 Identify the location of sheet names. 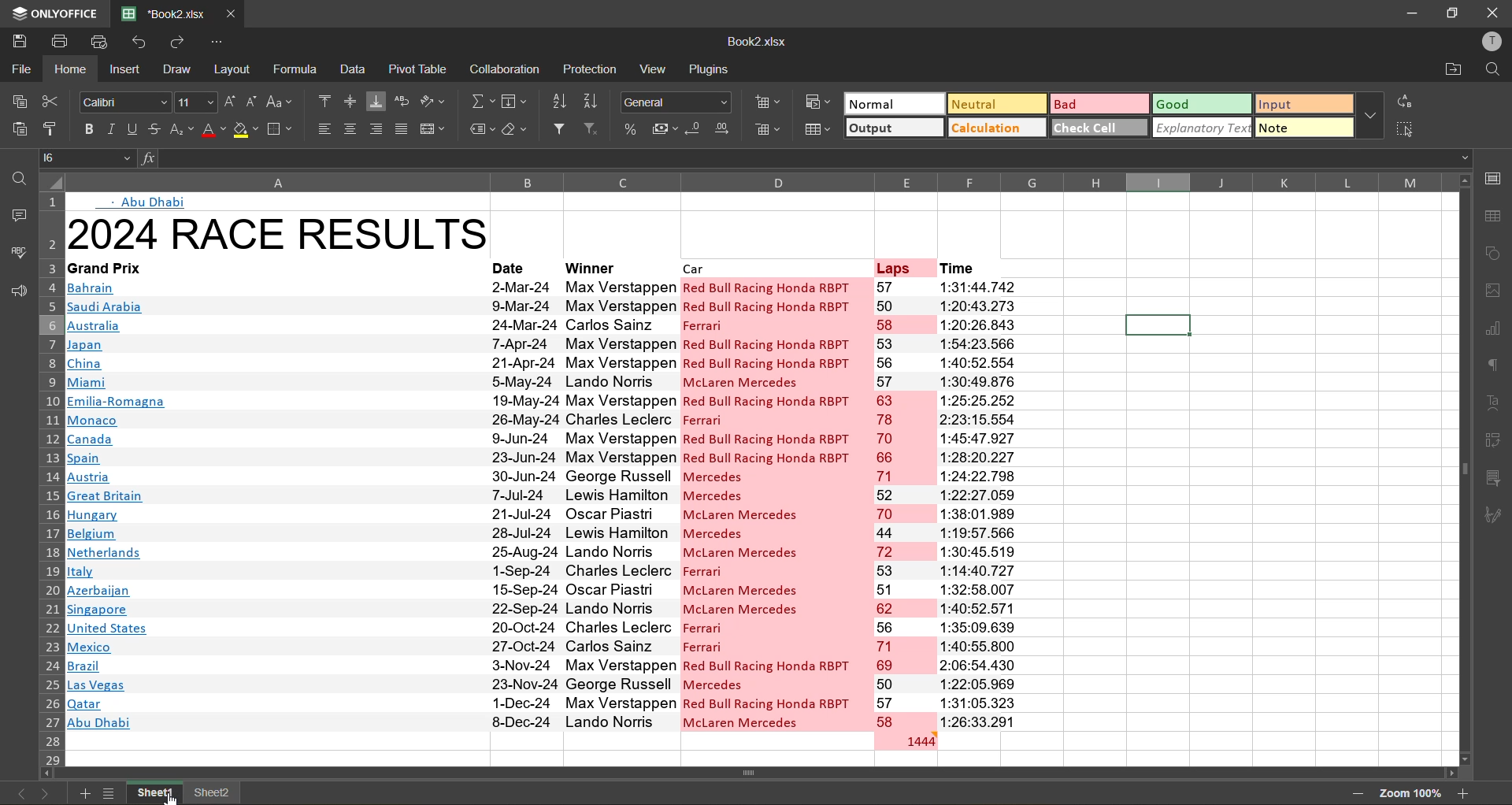
(152, 793).